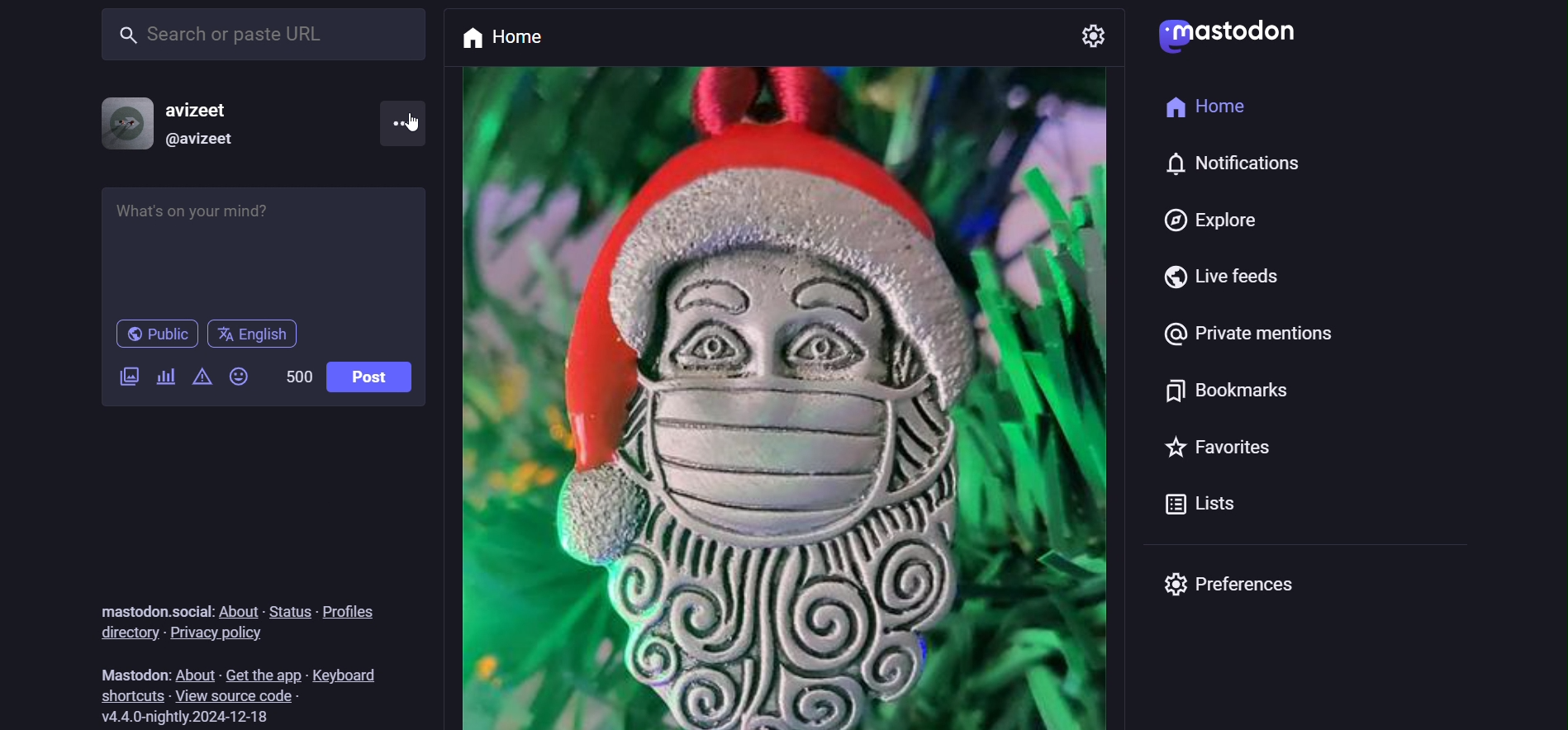 The height and width of the screenshot is (730, 1568). I want to click on profile picture, so click(116, 122).